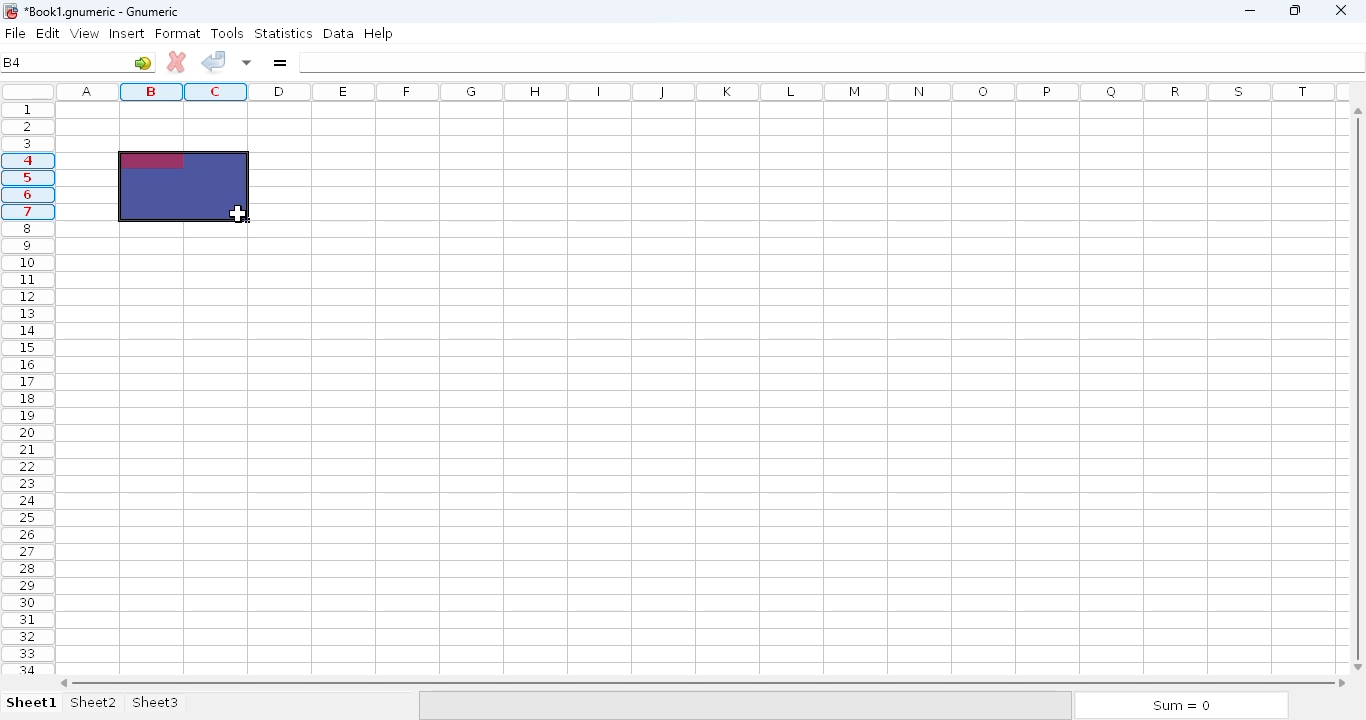  Describe the element at coordinates (283, 33) in the screenshot. I see `statistics` at that location.